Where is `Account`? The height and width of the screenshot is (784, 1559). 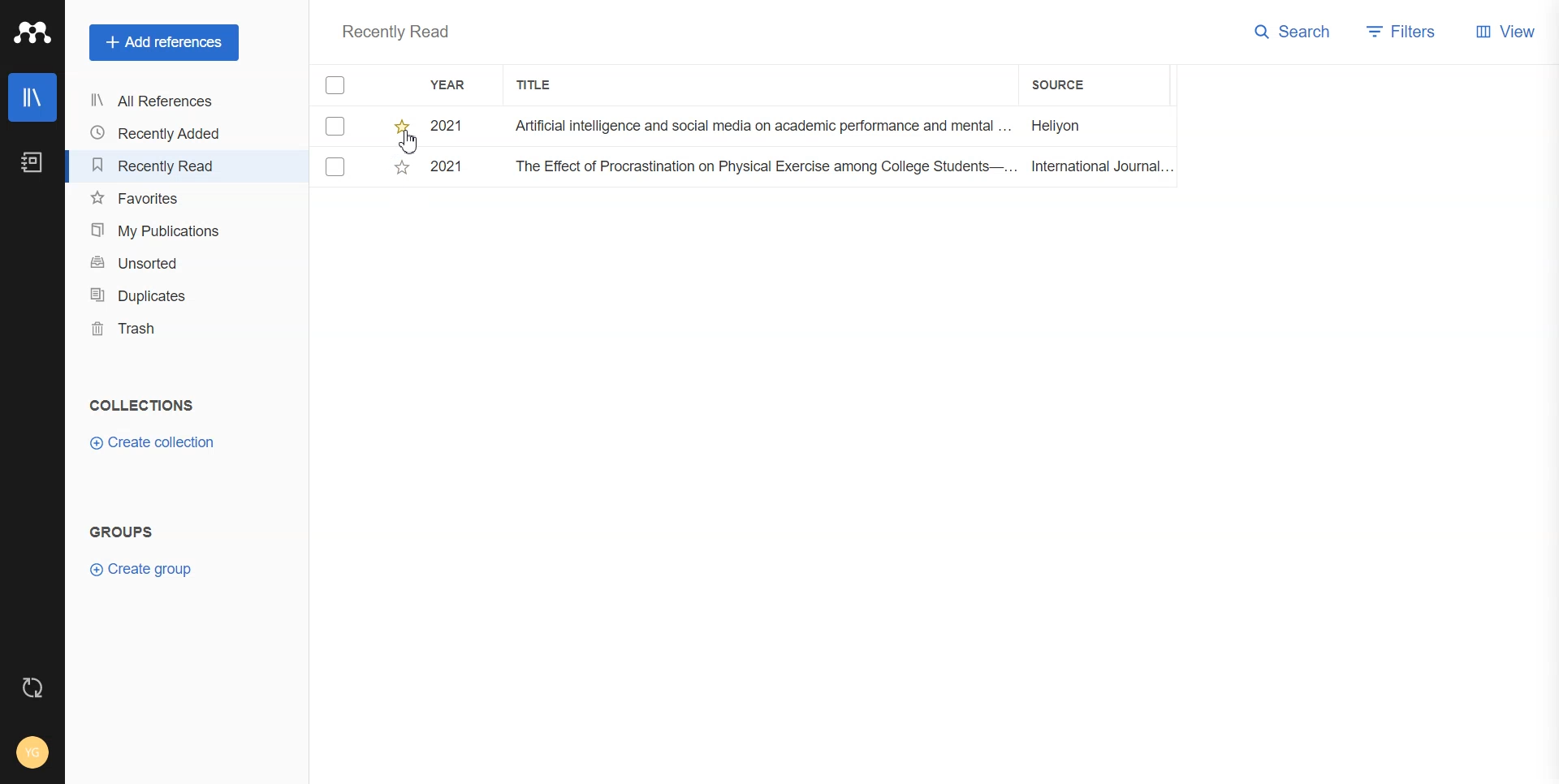 Account is located at coordinates (32, 751).